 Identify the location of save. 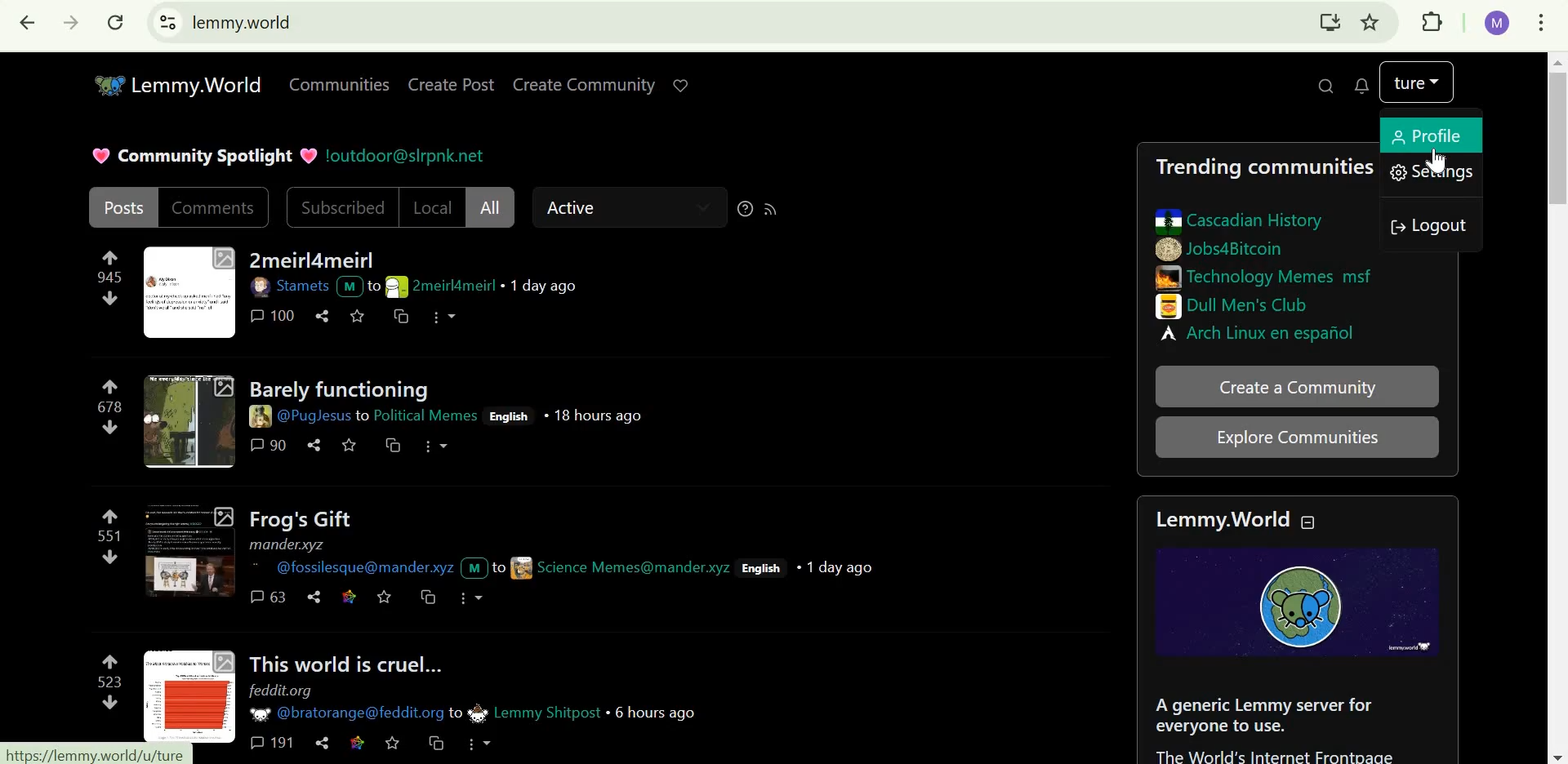
(385, 596).